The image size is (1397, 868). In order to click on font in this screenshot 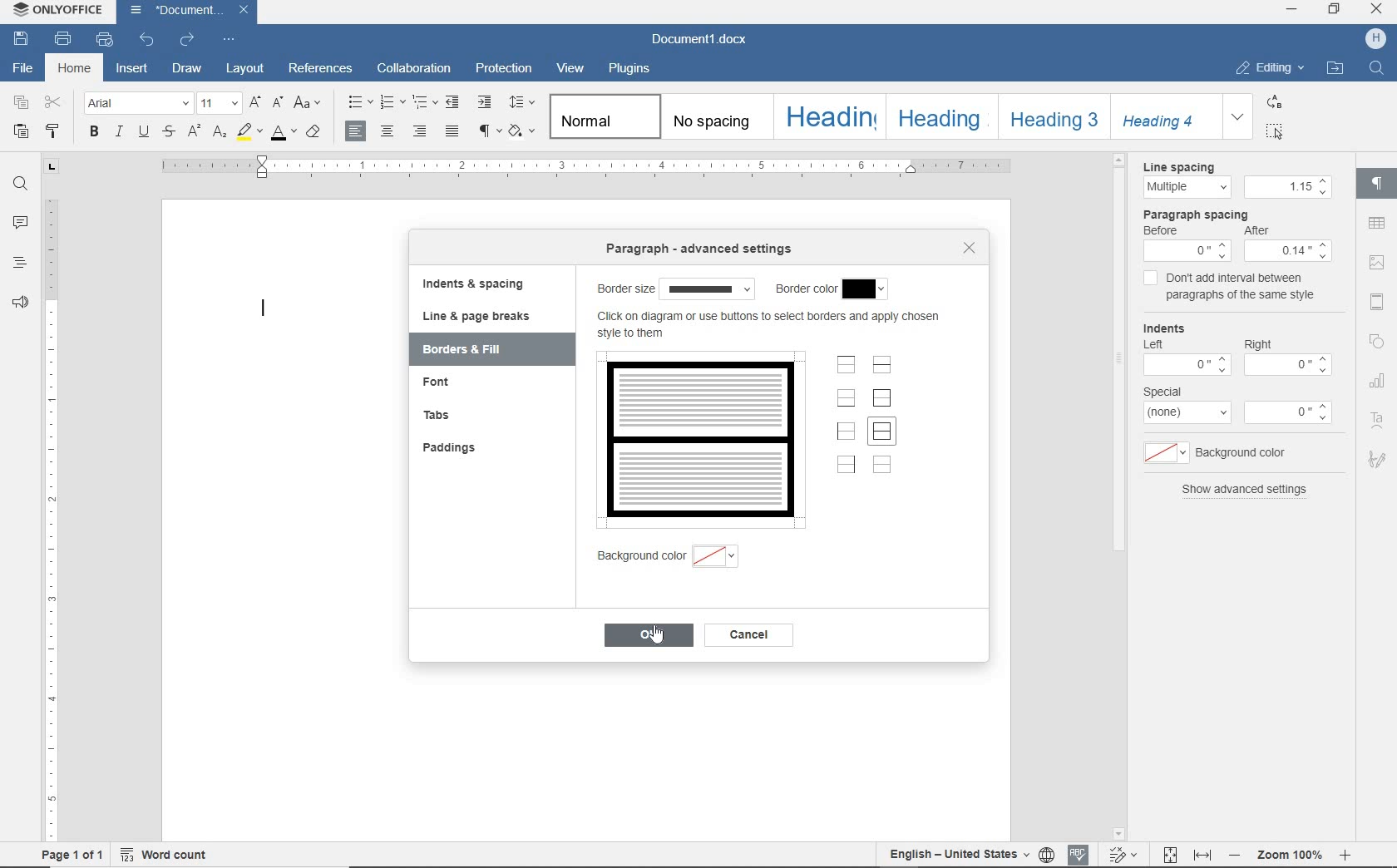, I will do `click(449, 384)`.